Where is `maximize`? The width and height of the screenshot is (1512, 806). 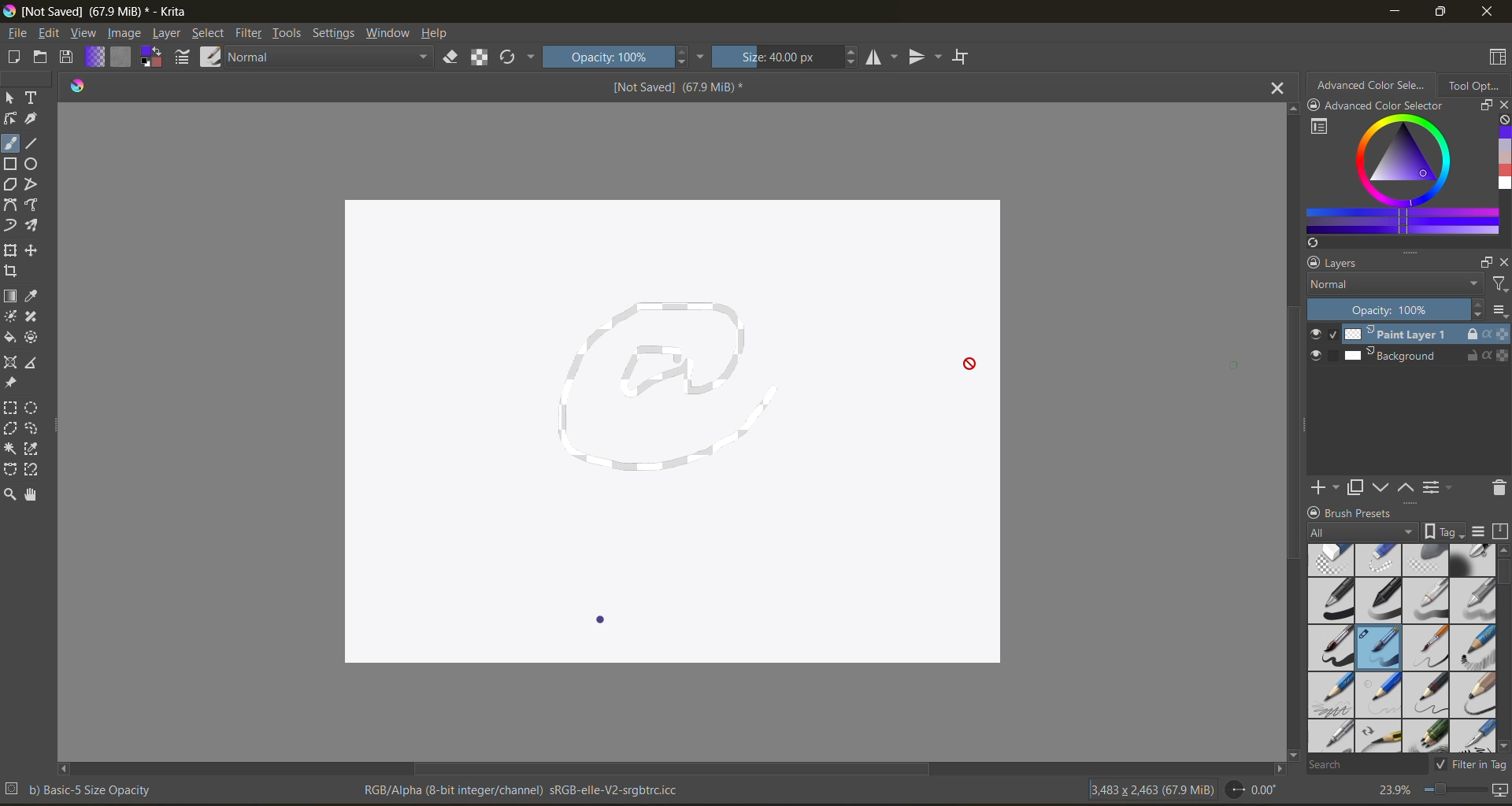
maximize is located at coordinates (1442, 12).